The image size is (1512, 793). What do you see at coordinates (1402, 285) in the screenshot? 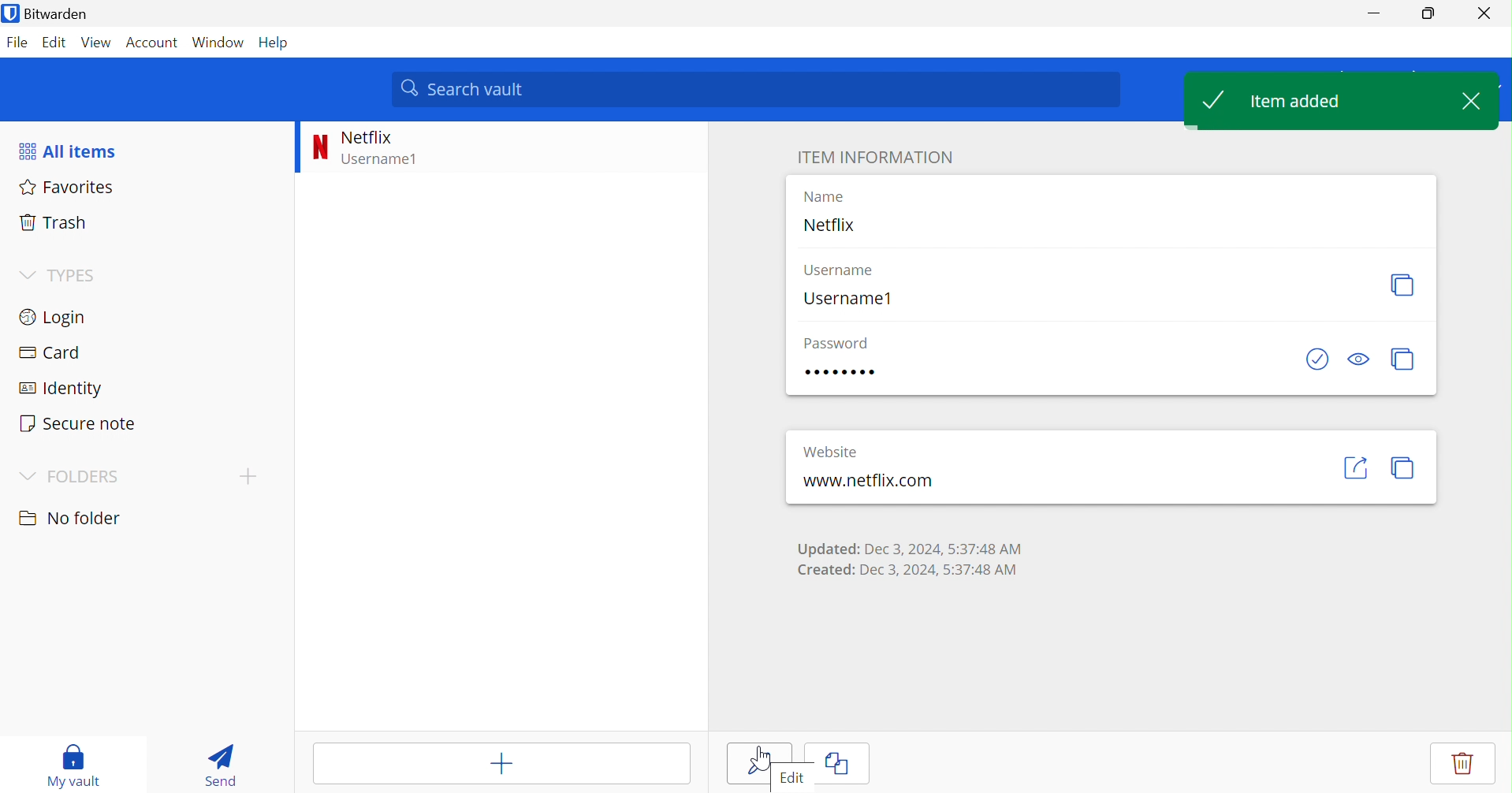
I see `Copy username` at bounding box center [1402, 285].